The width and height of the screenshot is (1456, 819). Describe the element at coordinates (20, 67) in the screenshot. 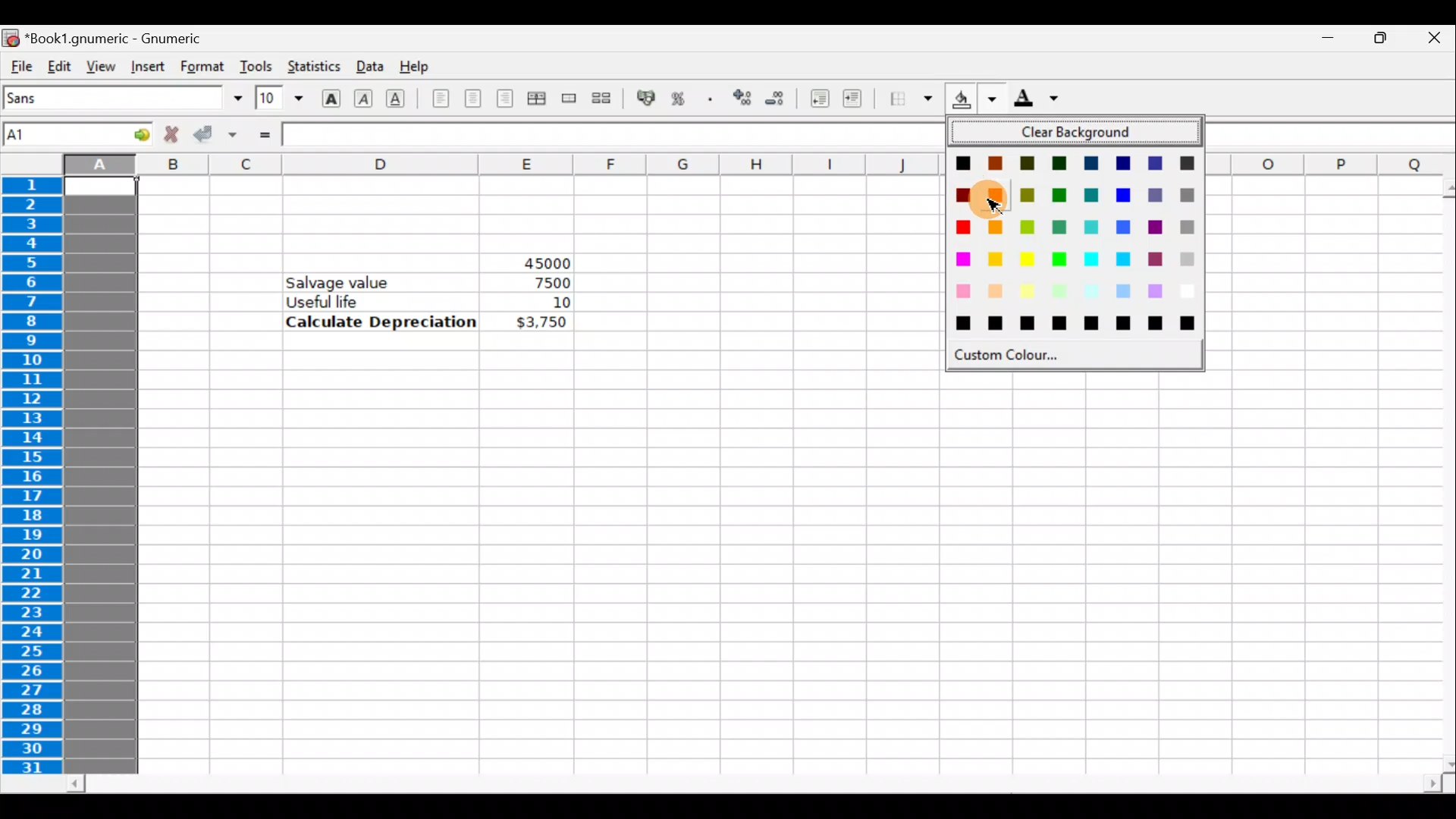

I see `File` at that location.